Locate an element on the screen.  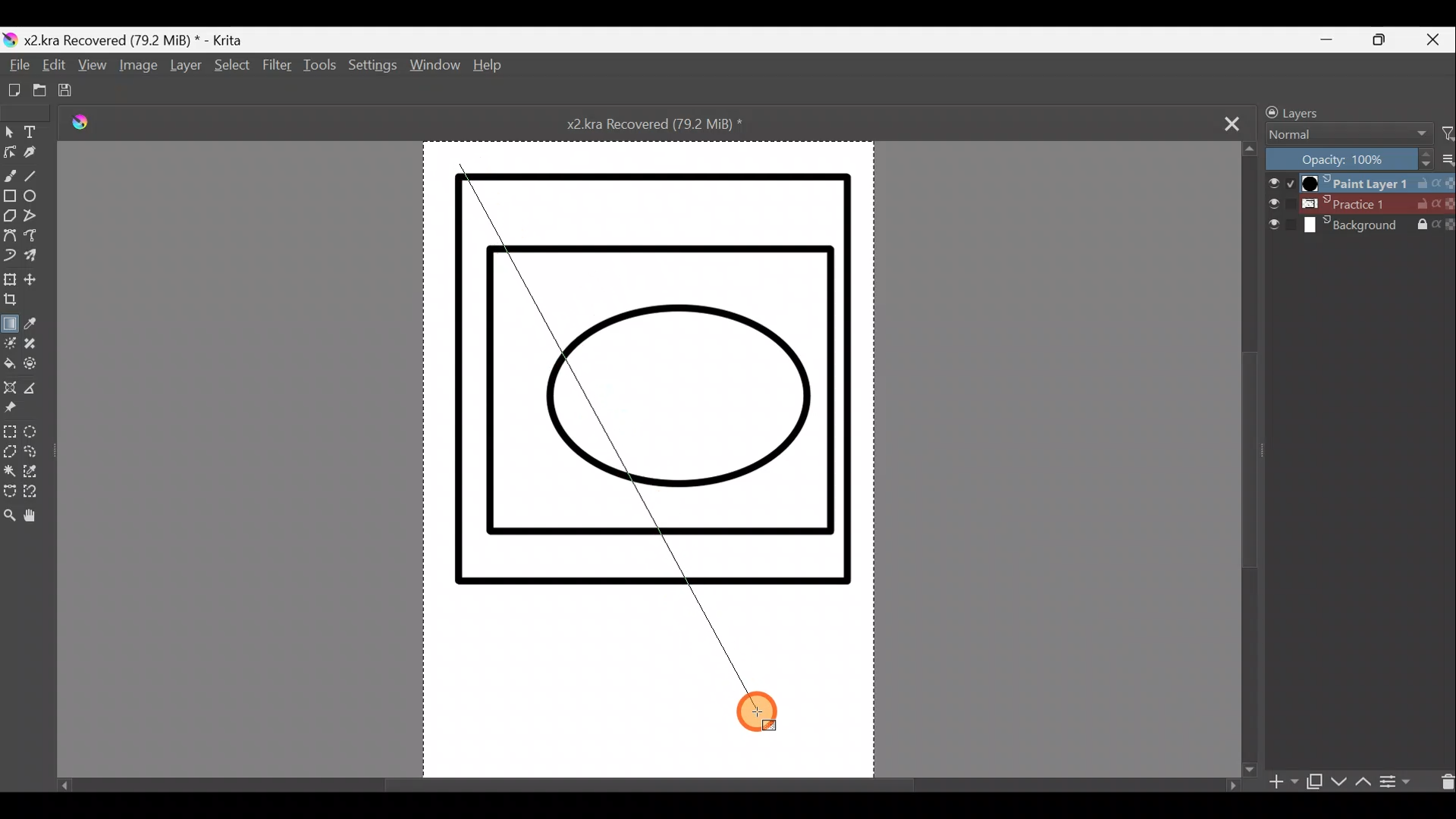
Line tool is located at coordinates (34, 178).